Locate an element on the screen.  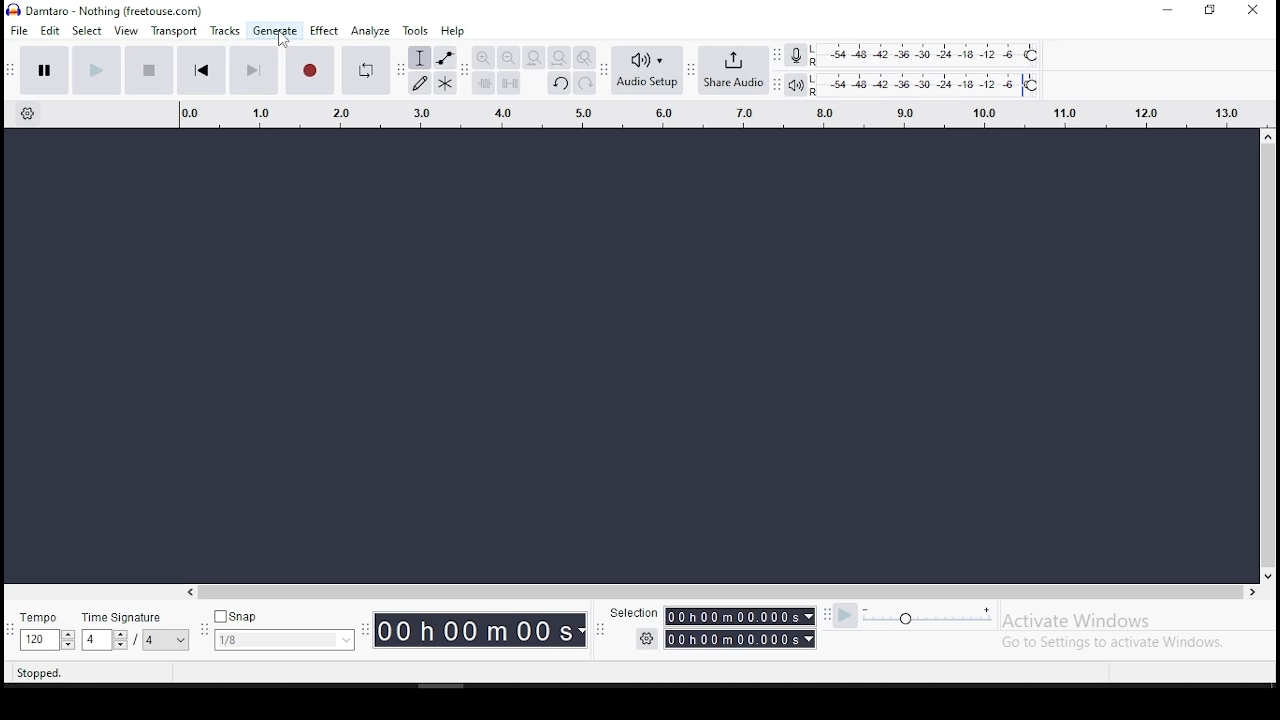
time signature is located at coordinates (135, 630).